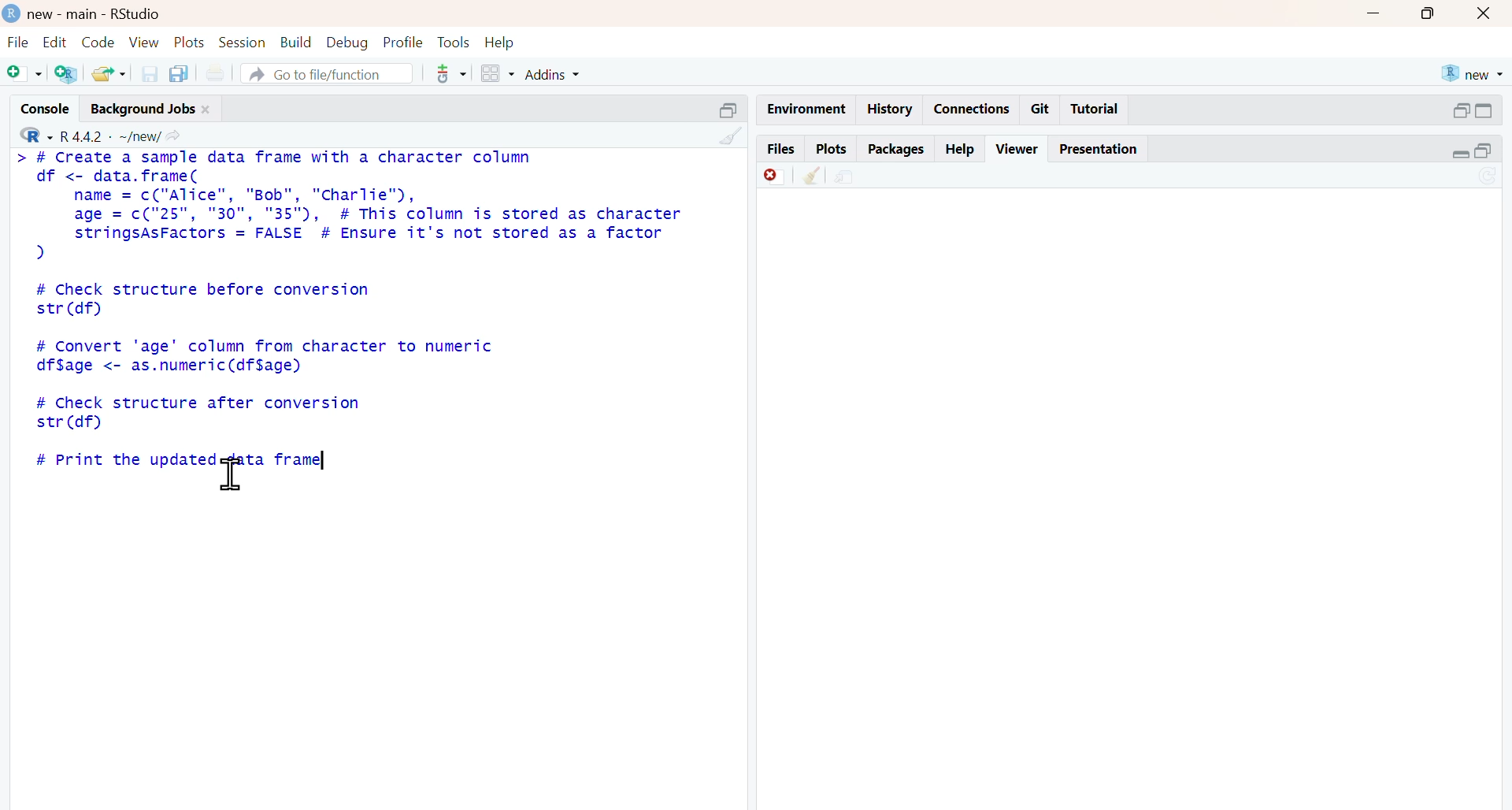  What do you see at coordinates (1484, 13) in the screenshot?
I see `close` at bounding box center [1484, 13].